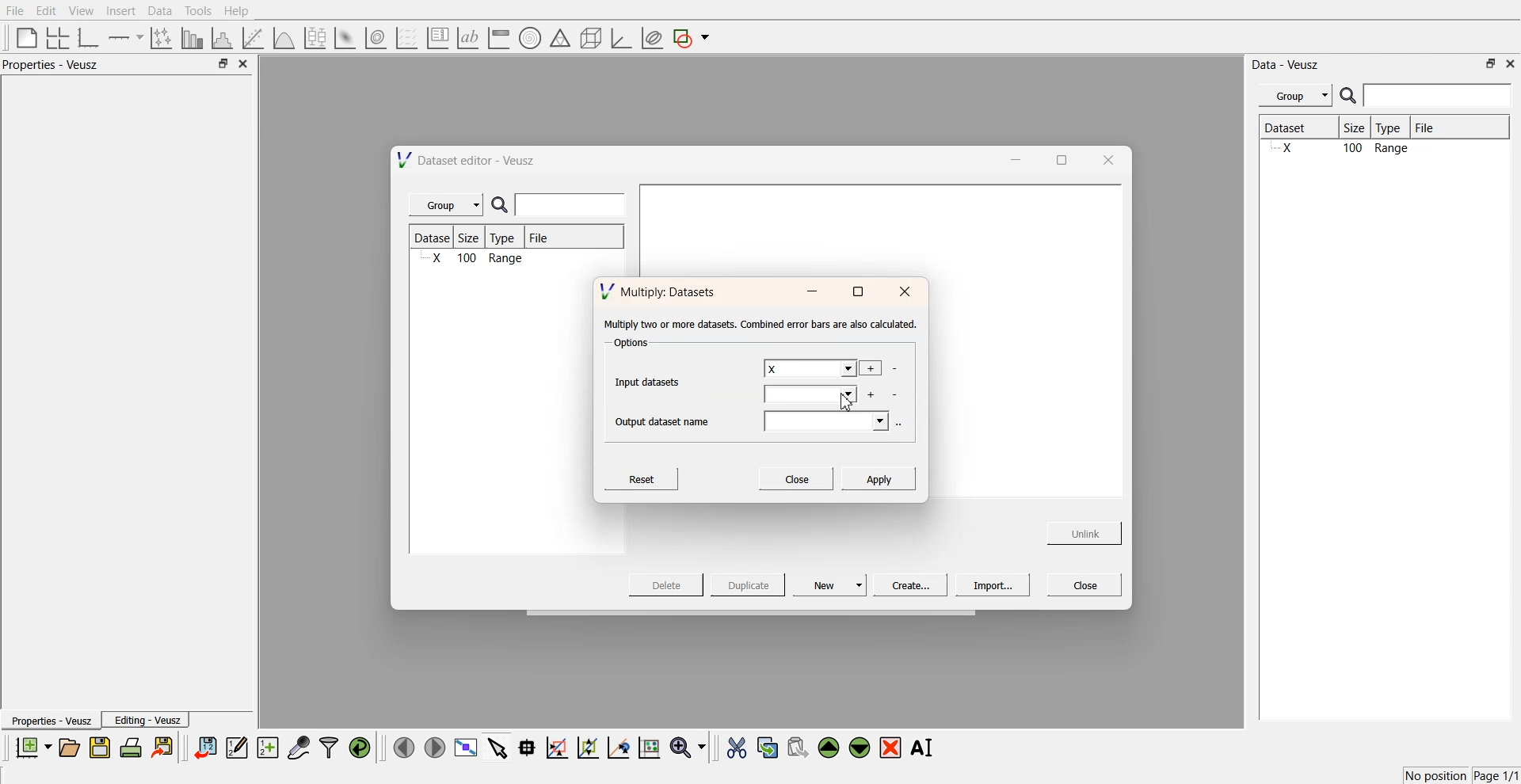 The width and height of the screenshot is (1521, 784). I want to click on plot a 2d datasets as image, so click(344, 37).